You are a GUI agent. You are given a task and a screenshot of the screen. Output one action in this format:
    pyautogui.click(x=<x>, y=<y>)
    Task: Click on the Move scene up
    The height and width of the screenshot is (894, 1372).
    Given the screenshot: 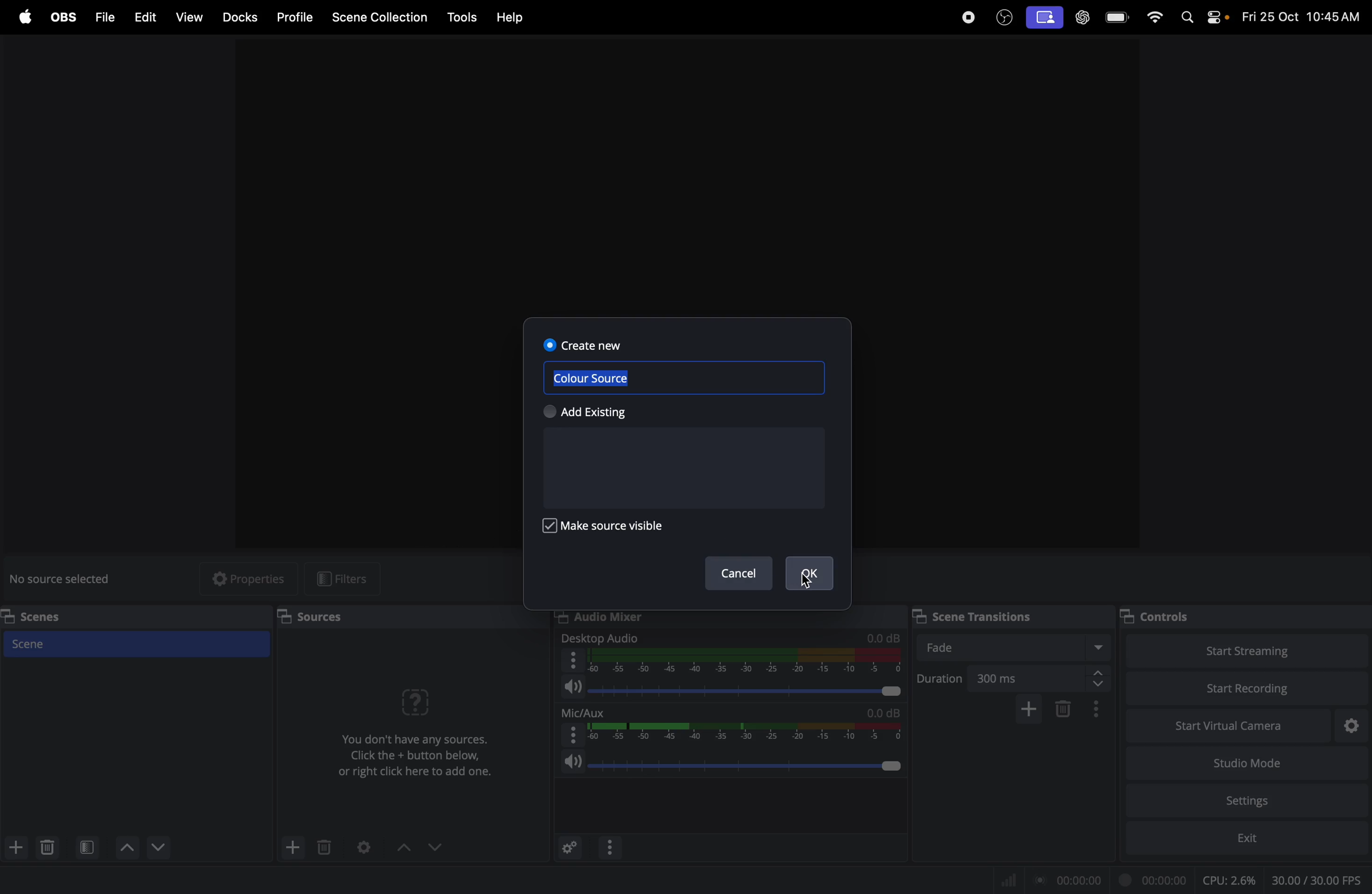 What is the action you would take?
    pyautogui.click(x=165, y=850)
    